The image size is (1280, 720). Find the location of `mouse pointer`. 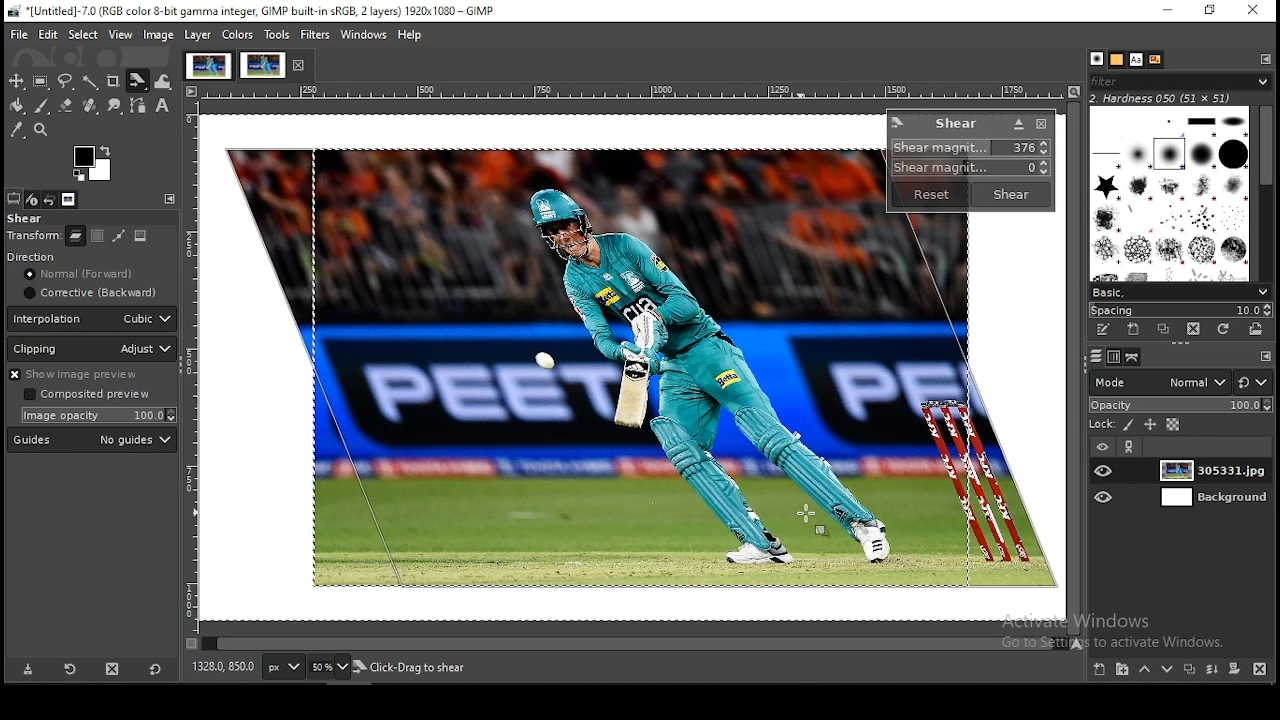

mouse pointer is located at coordinates (815, 516).